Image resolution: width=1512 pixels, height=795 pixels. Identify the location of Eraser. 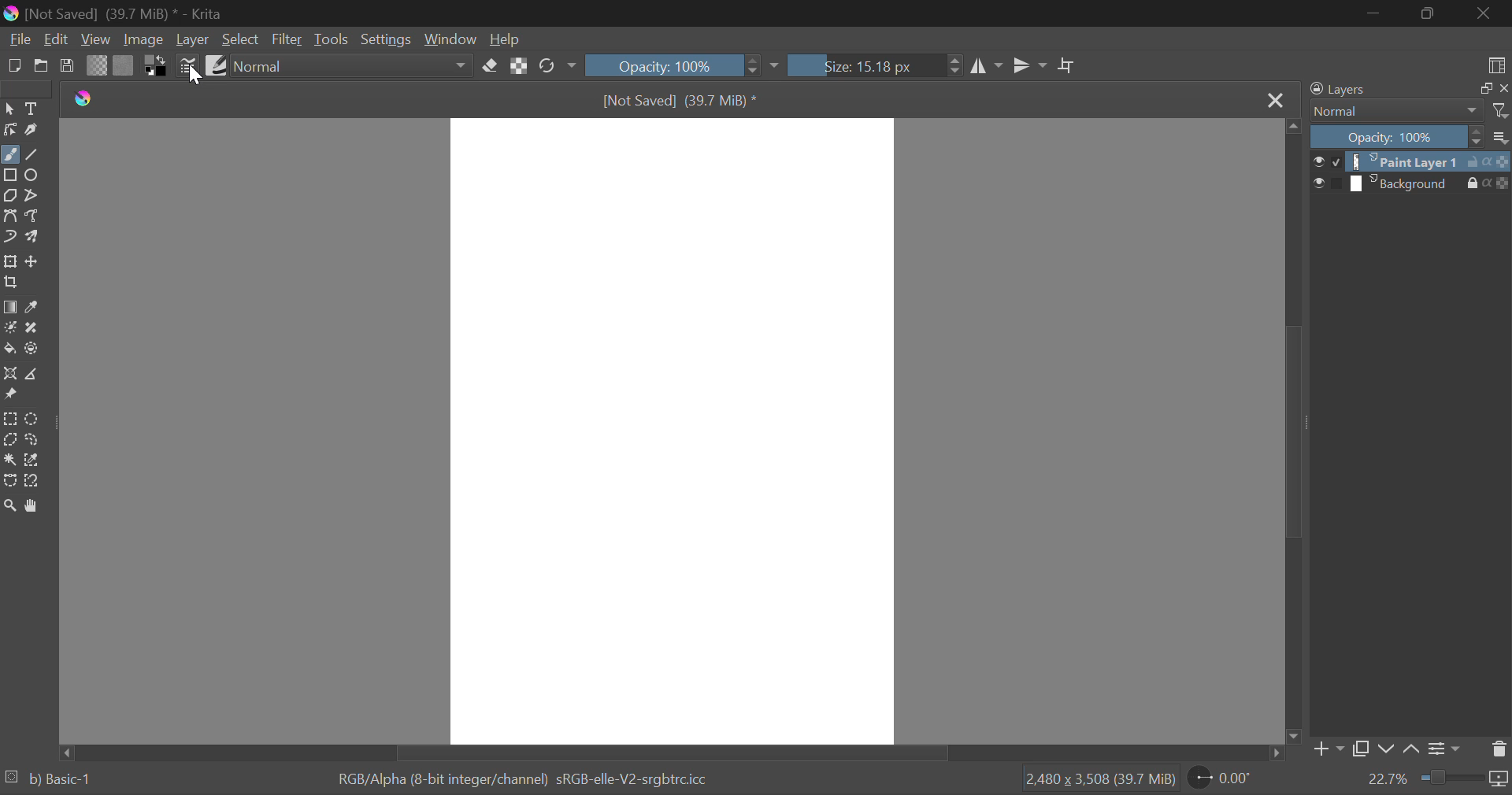
(490, 66).